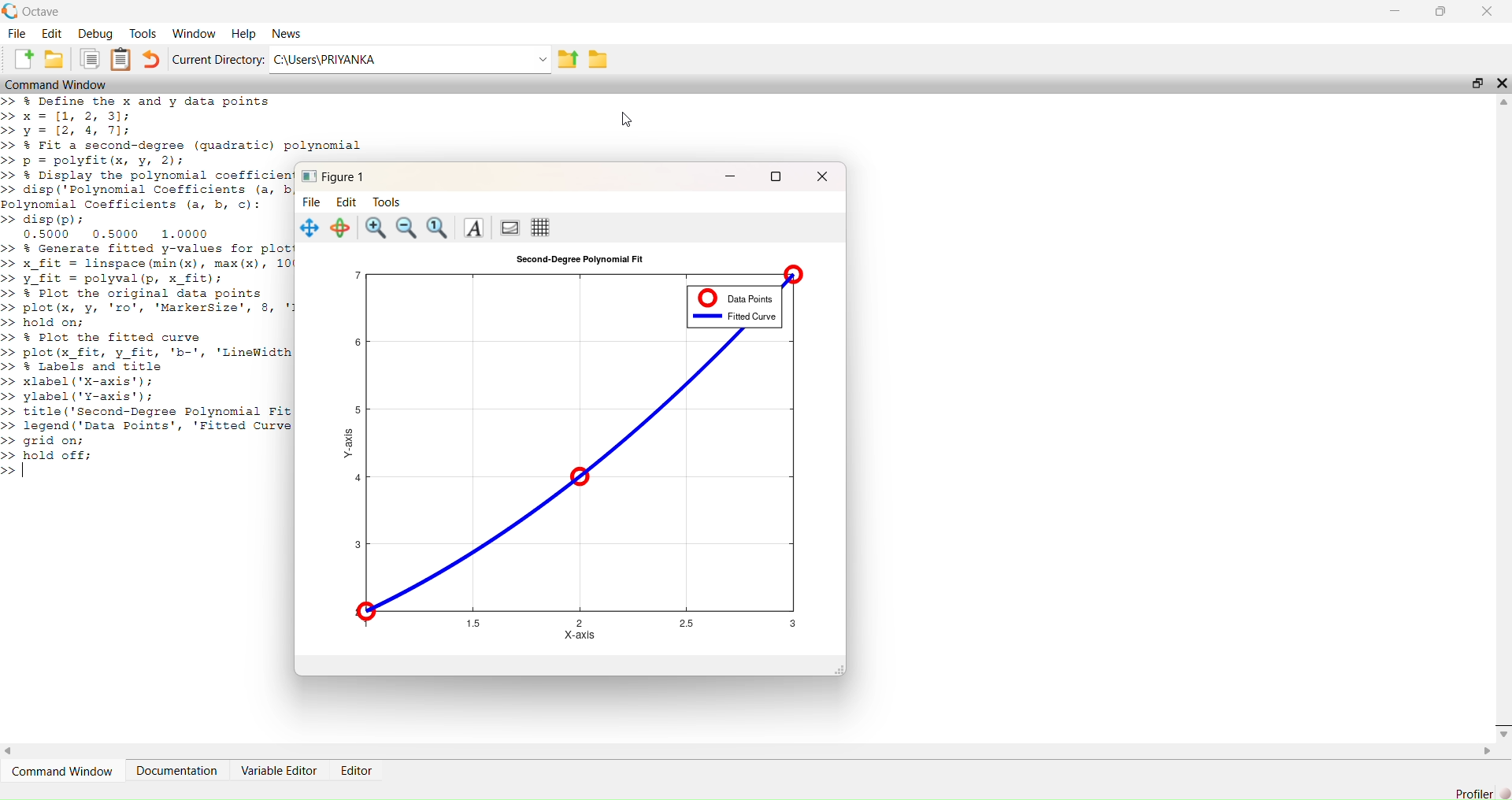 The height and width of the screenshot is (800, 1512). I want to click on Minimize, so click(1398, 11).